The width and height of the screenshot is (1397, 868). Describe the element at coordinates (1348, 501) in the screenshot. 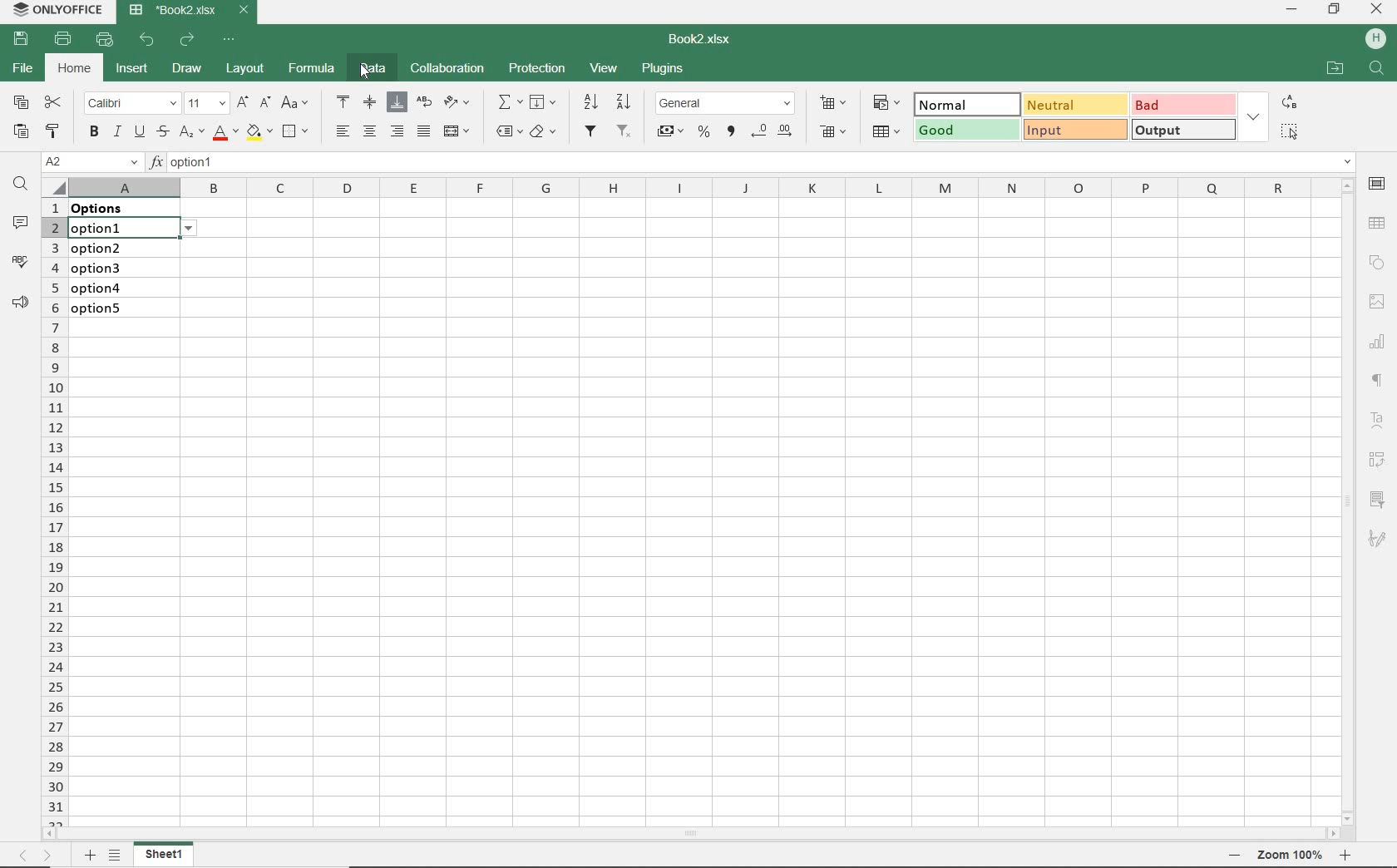

I see `SCROLLBAR` at that location.